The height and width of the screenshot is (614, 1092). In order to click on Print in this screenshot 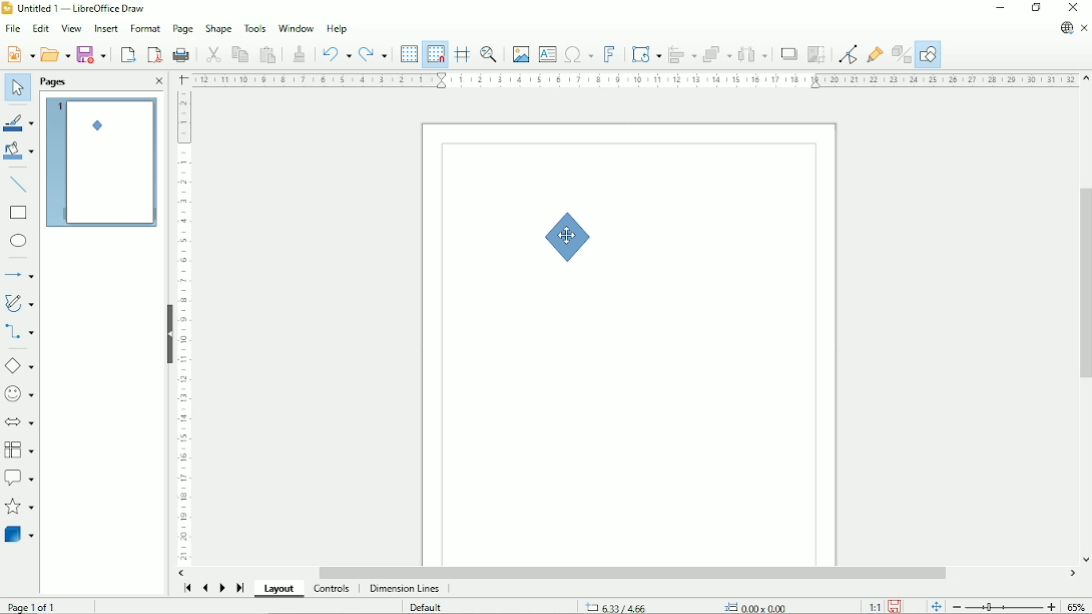, I will do `click(181, 55)`.